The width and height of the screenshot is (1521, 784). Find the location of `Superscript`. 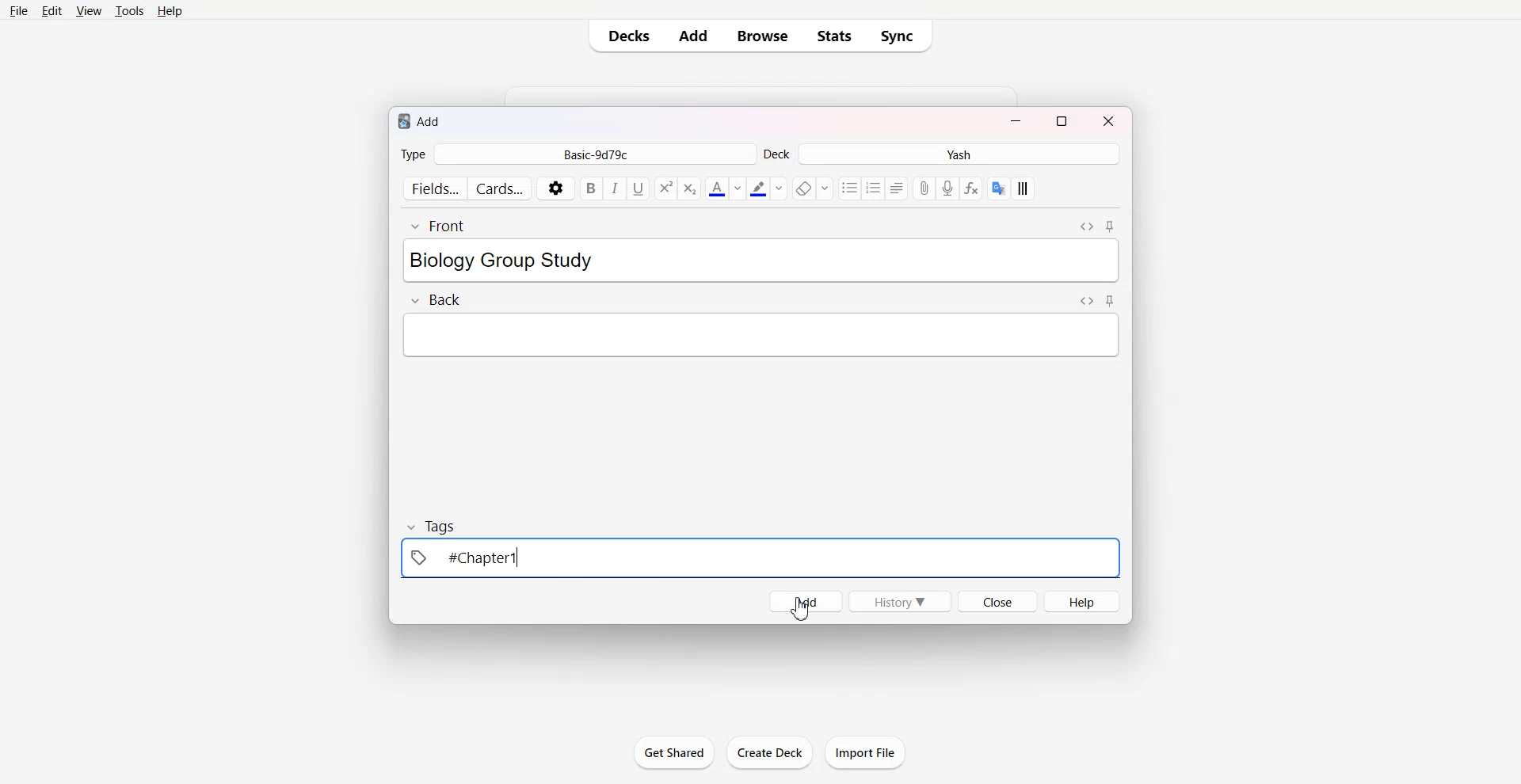

Superscript is located at coordinates (690, 188).